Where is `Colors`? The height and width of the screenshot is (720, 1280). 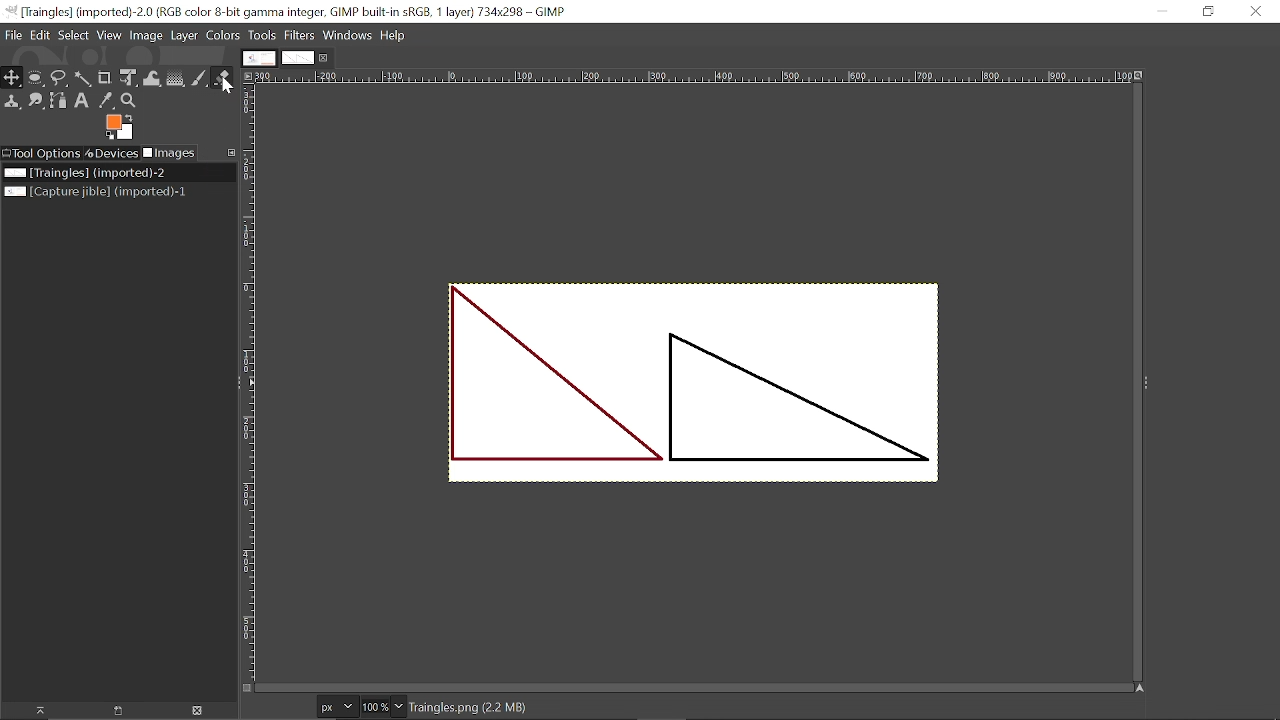 Colors is located at coordinates (223, 37).